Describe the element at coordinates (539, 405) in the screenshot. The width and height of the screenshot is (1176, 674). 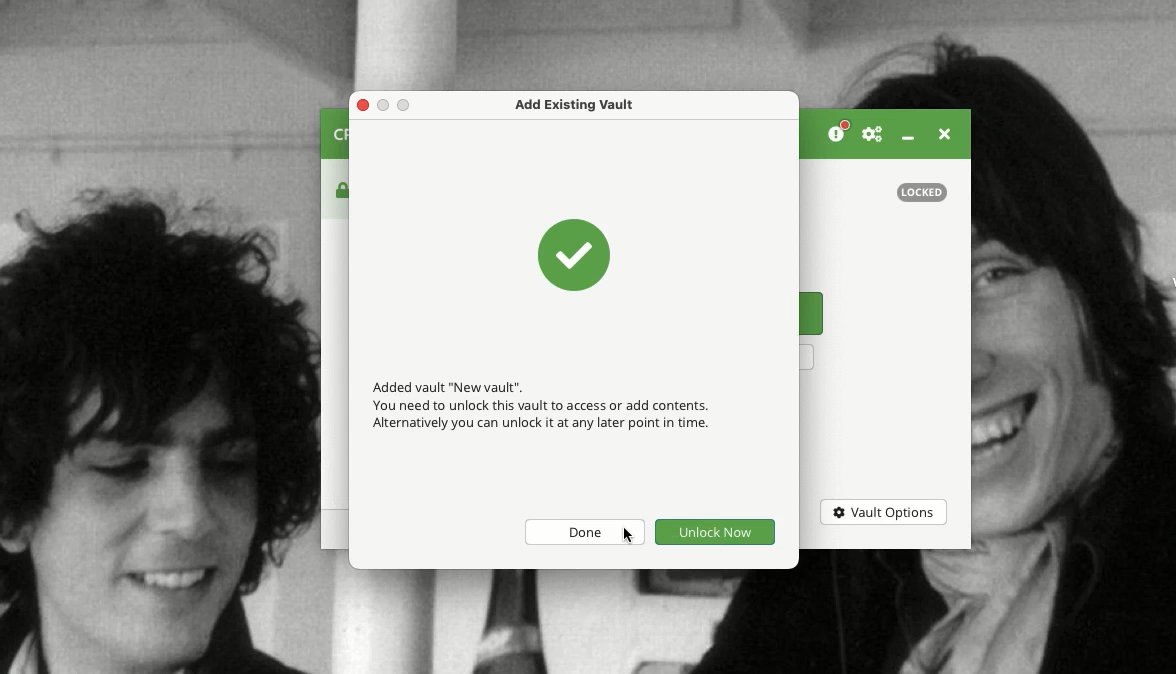
I see `Added vault "New vault". You need to unlock this vault to access or add contents. Alternatively you can unlock it at any later point in time.` at that location.